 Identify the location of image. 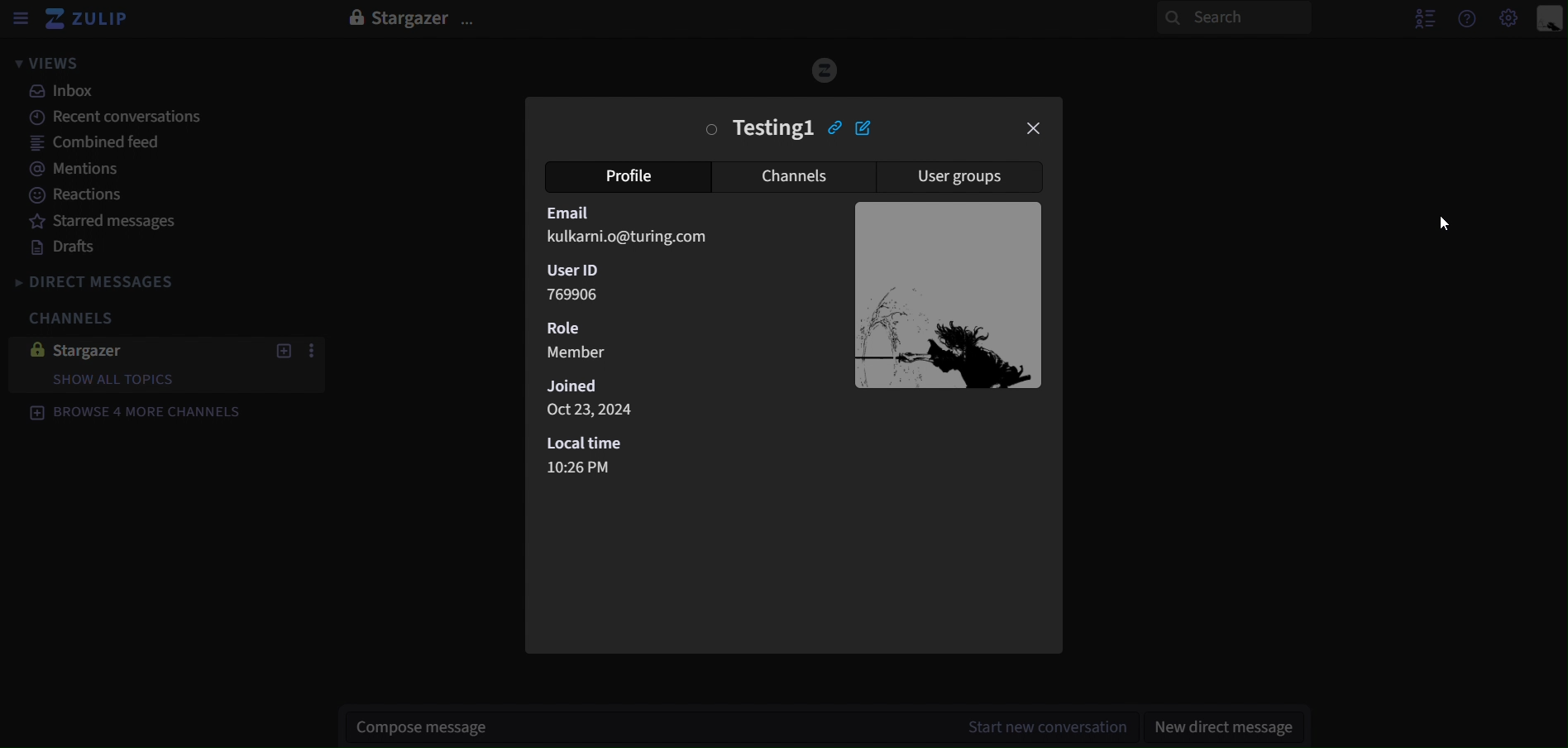
(826, 72).